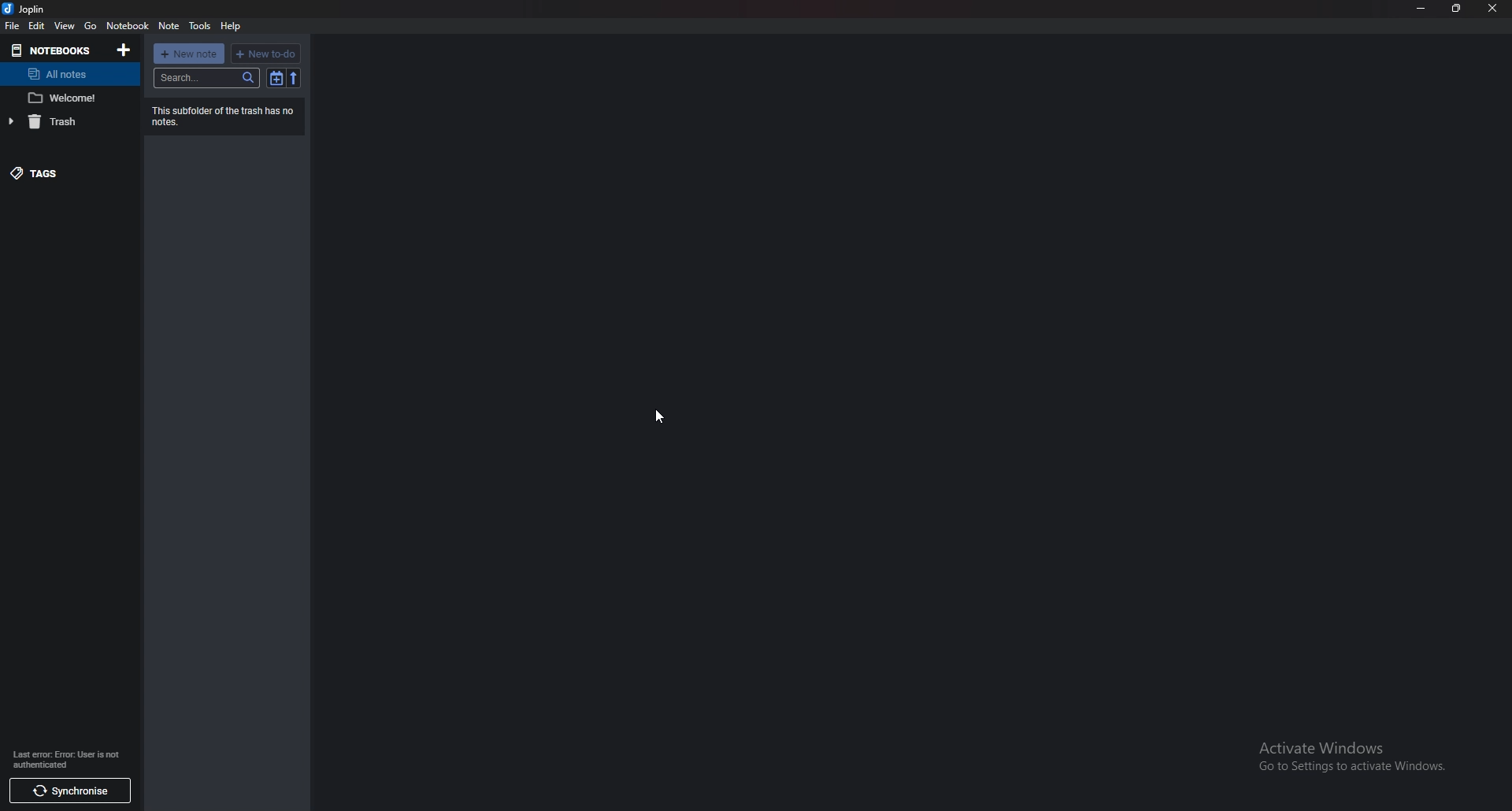 Image resolution: width=1512 pixels, height=811 pixels. Describe the element at coordinates (69, 72) in the screenshot. I see `All notes` at that location.